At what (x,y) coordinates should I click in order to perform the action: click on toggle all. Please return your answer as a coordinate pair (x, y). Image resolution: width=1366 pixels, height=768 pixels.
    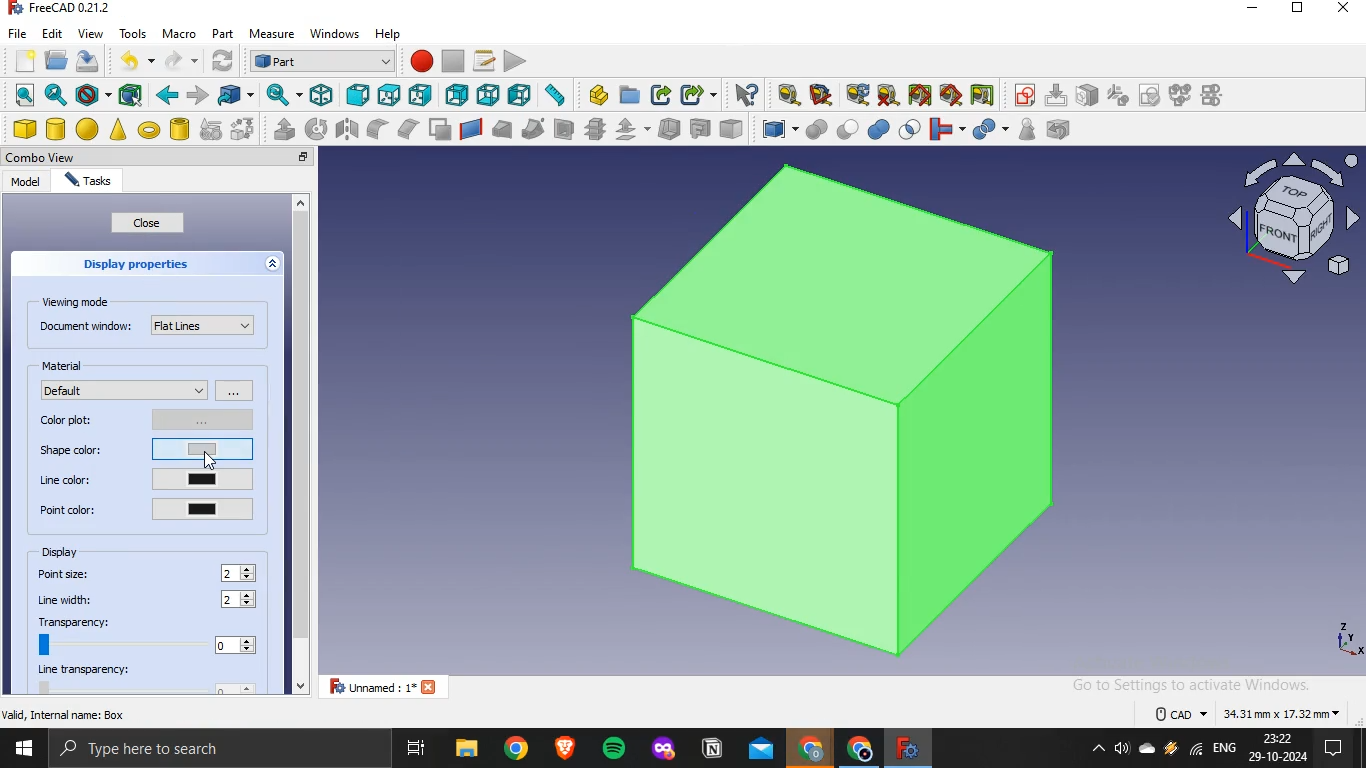
    Looking at the image, I should click on (919, 95).